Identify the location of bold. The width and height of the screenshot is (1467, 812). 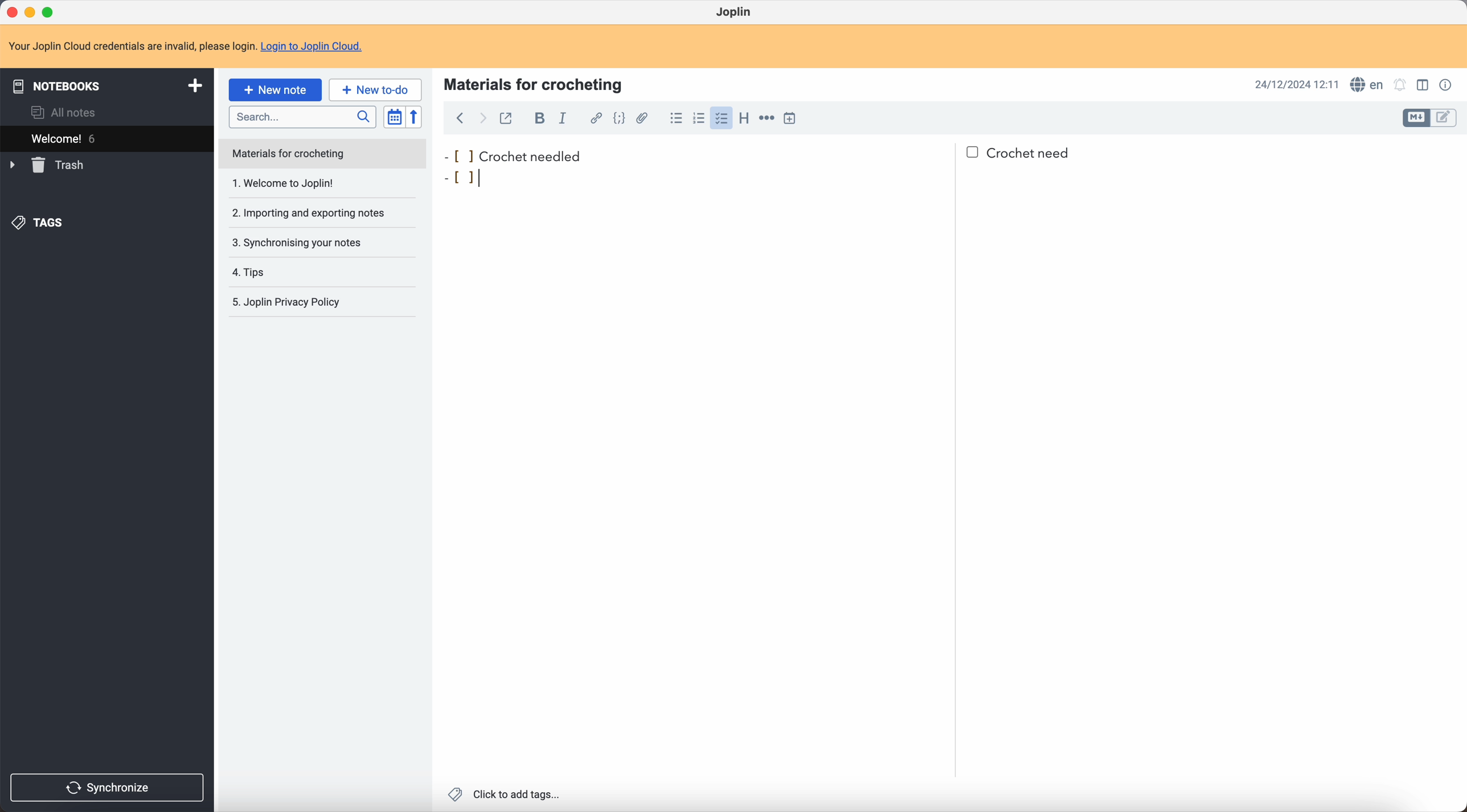
(536, 118).